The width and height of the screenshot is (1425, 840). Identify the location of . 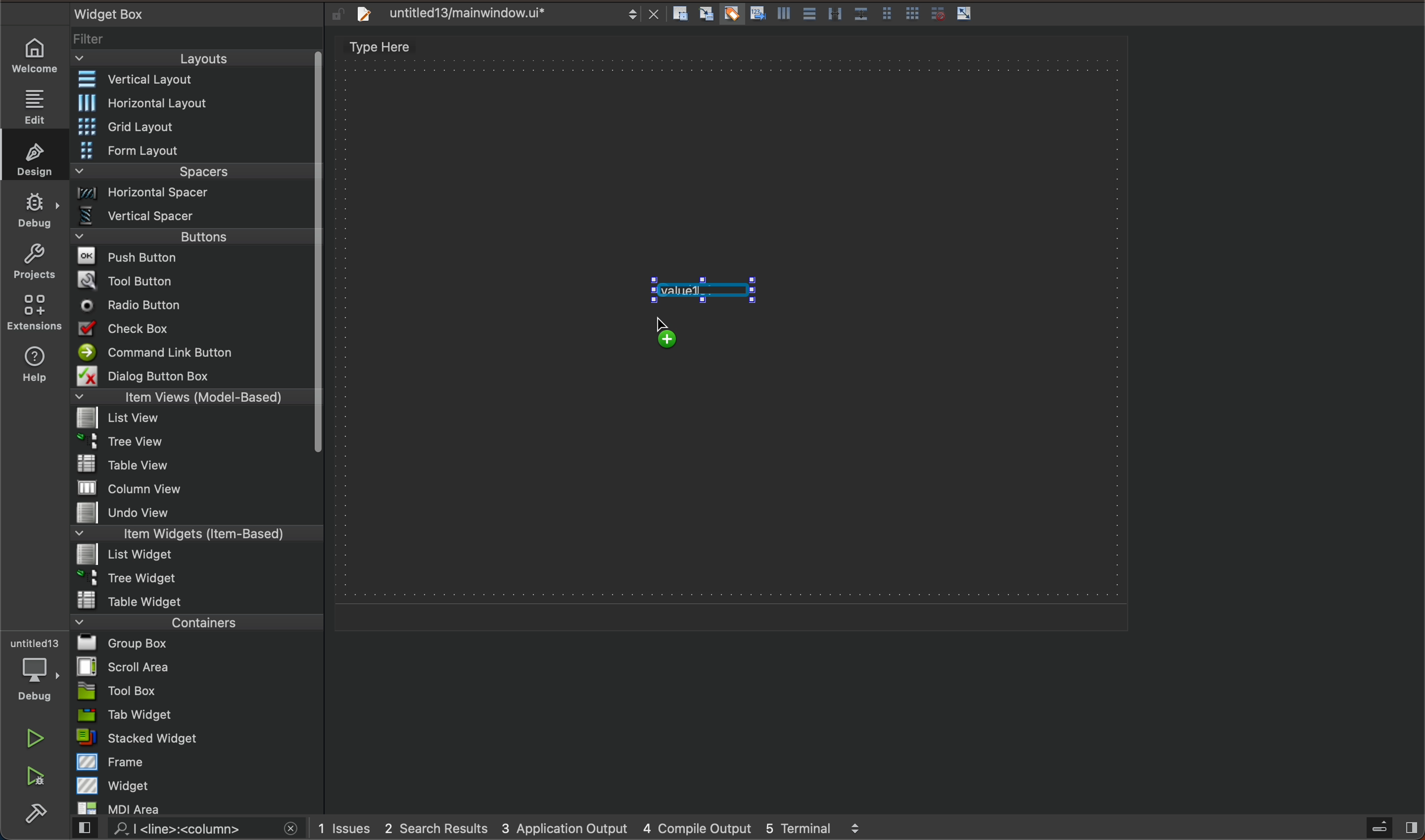
(190, 445).